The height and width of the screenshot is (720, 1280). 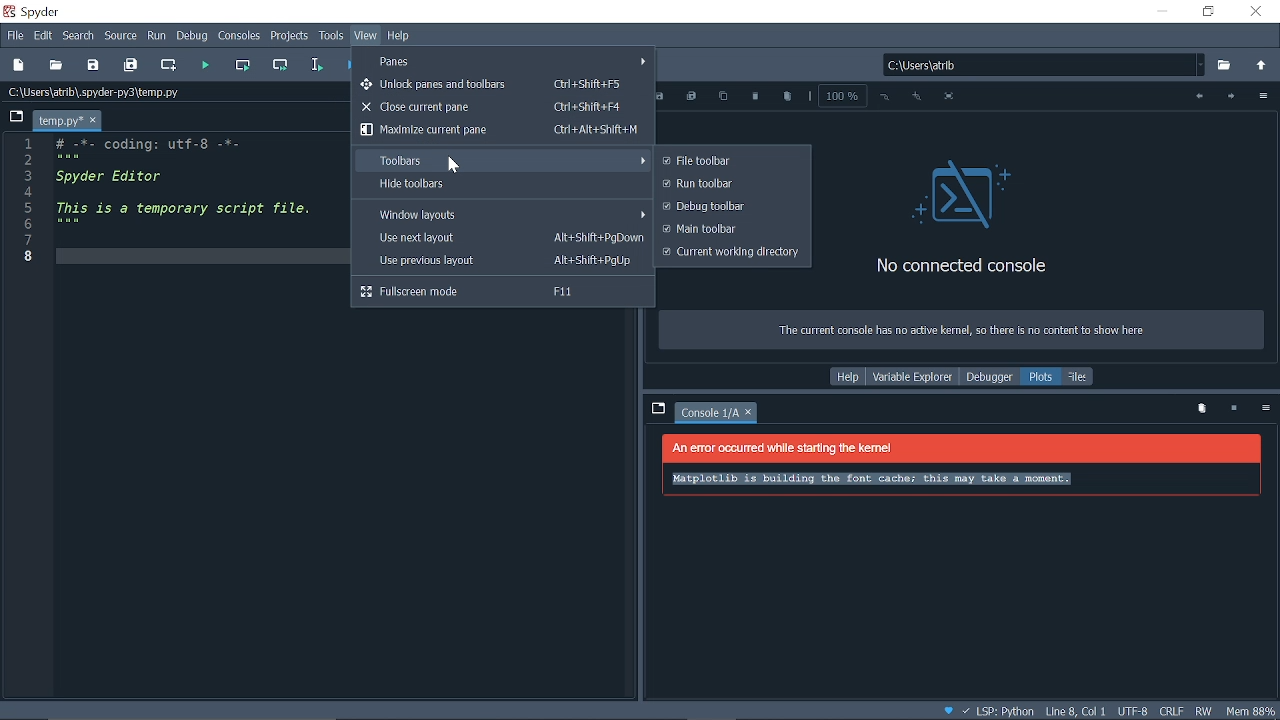 I want to click on Locations options, so click(x=1202, y=65).